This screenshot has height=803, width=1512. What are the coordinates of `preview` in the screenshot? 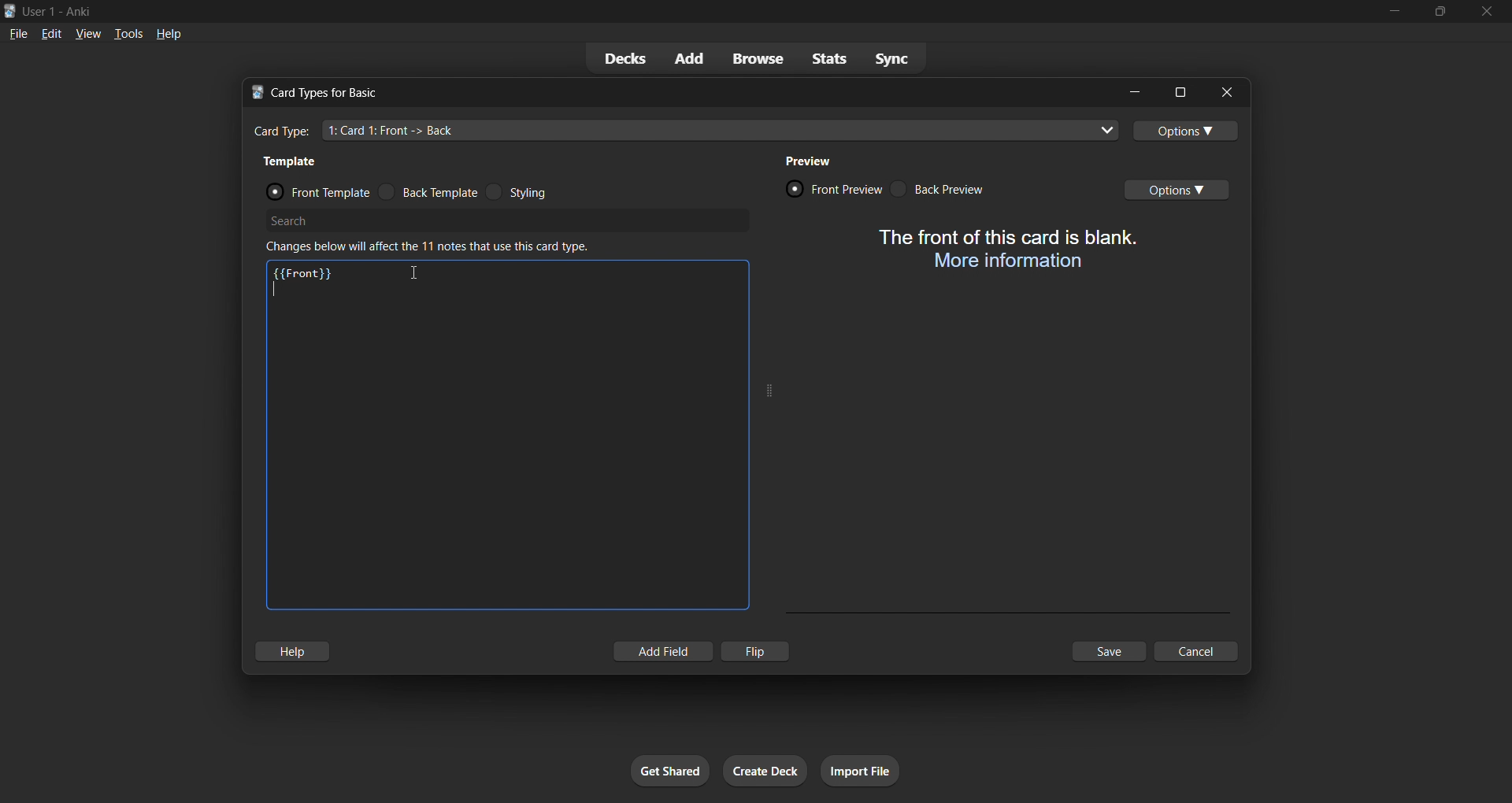 It's located at (807, 160).